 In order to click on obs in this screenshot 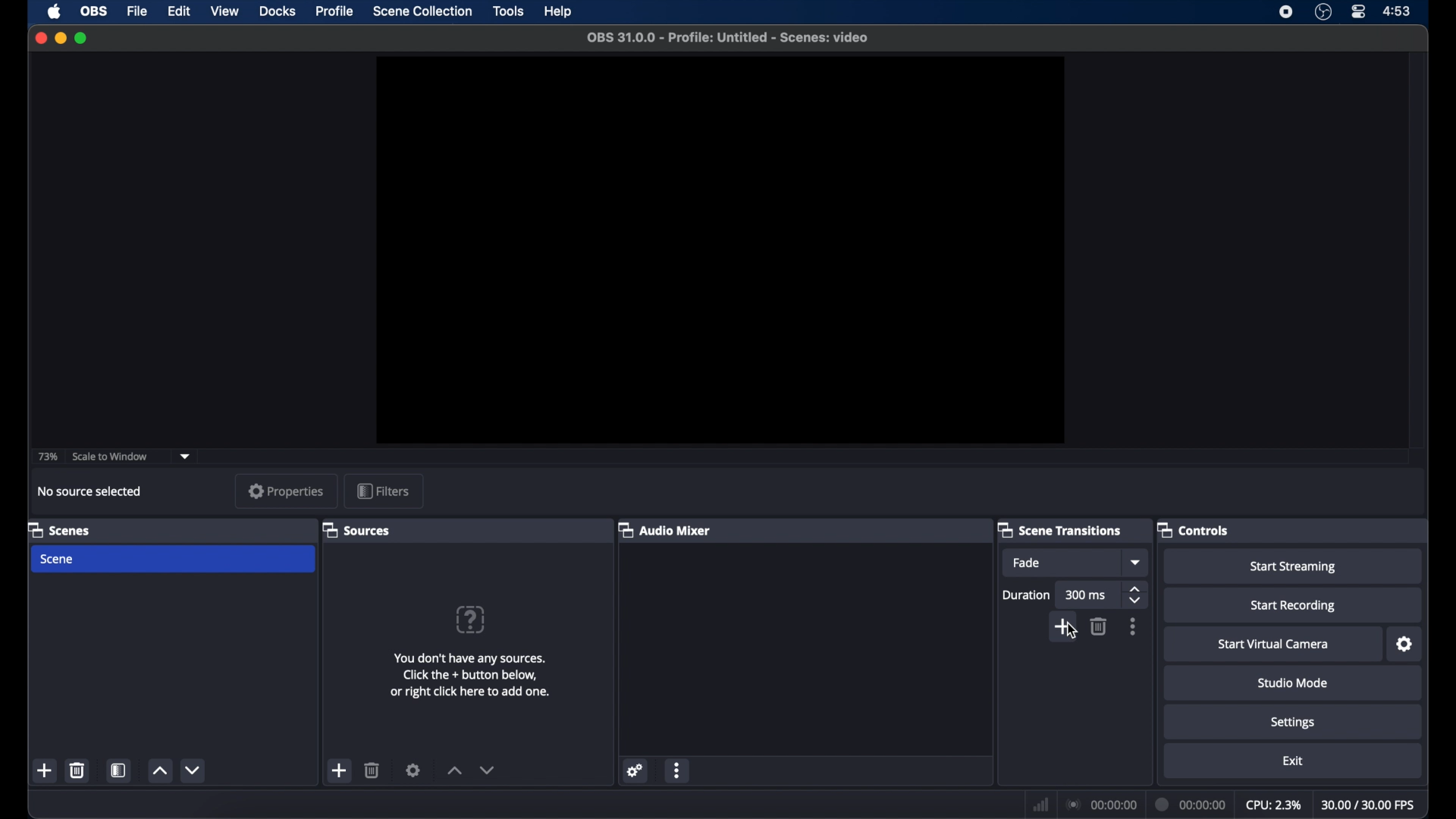, I will do `click(95, 11)`.